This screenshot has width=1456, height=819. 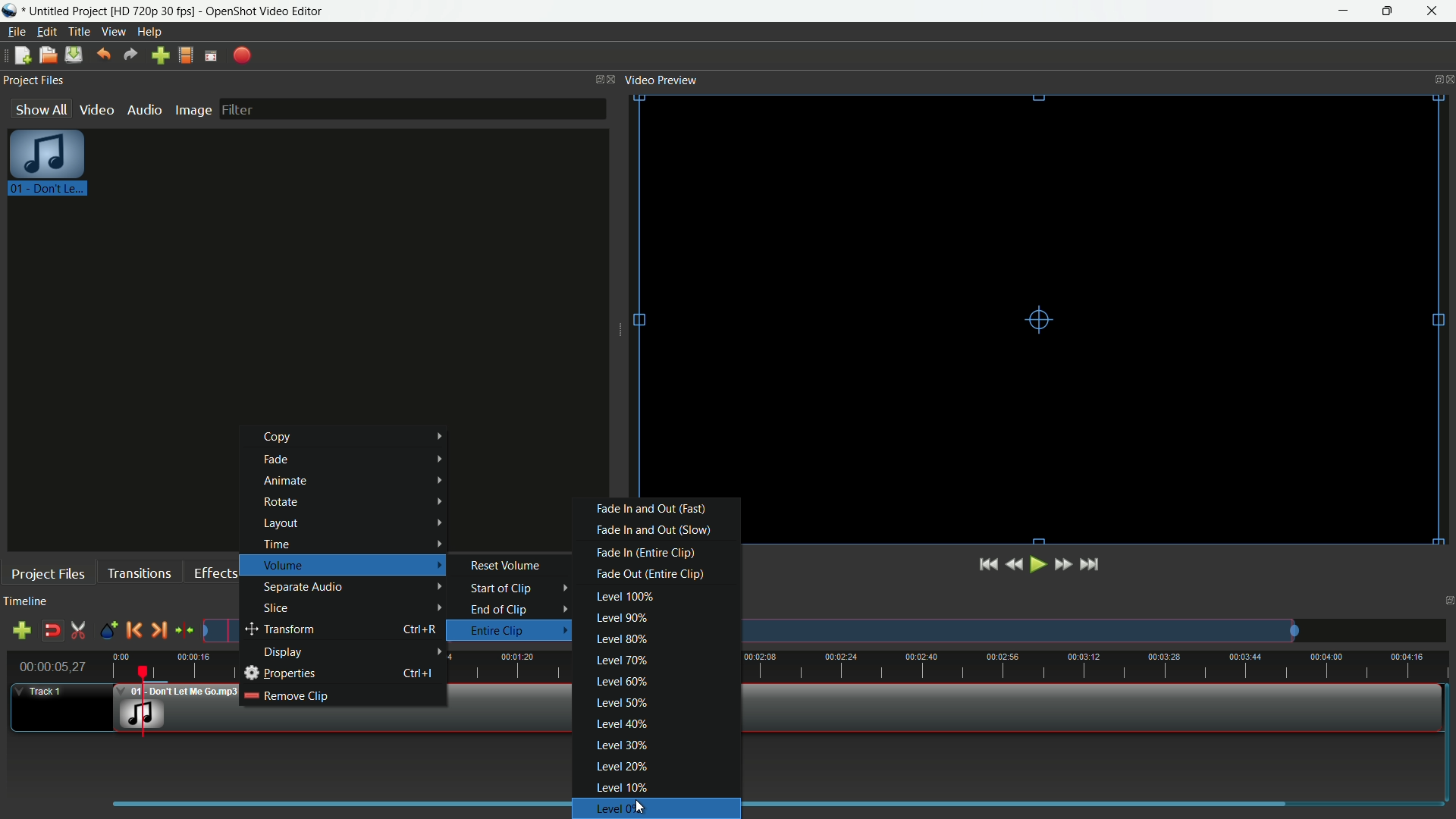 I want to click on profile, so click(x=187, y=56).